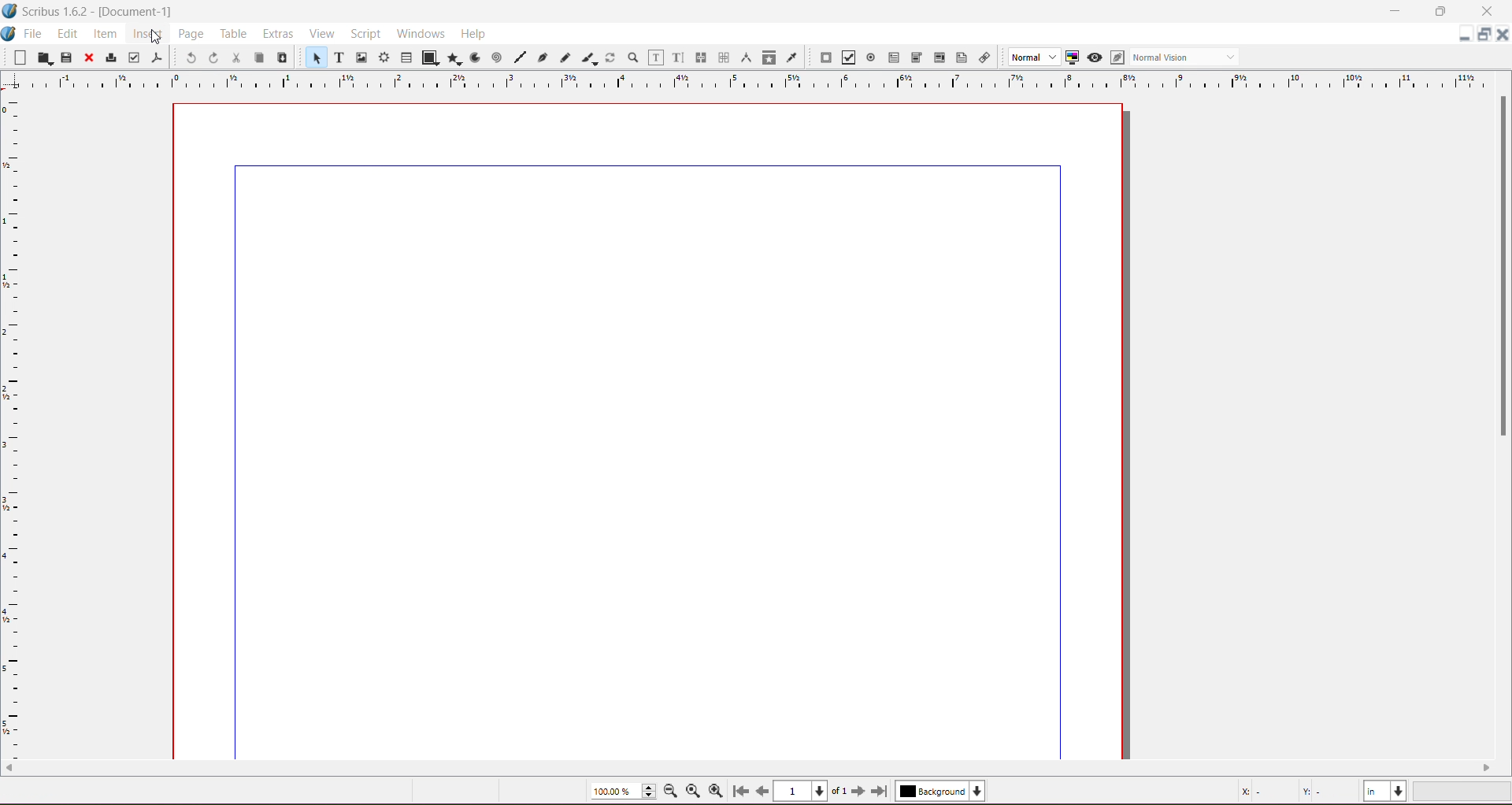 The image size is (1512, 805). I want to click on Render Frame, so click(385, 57).